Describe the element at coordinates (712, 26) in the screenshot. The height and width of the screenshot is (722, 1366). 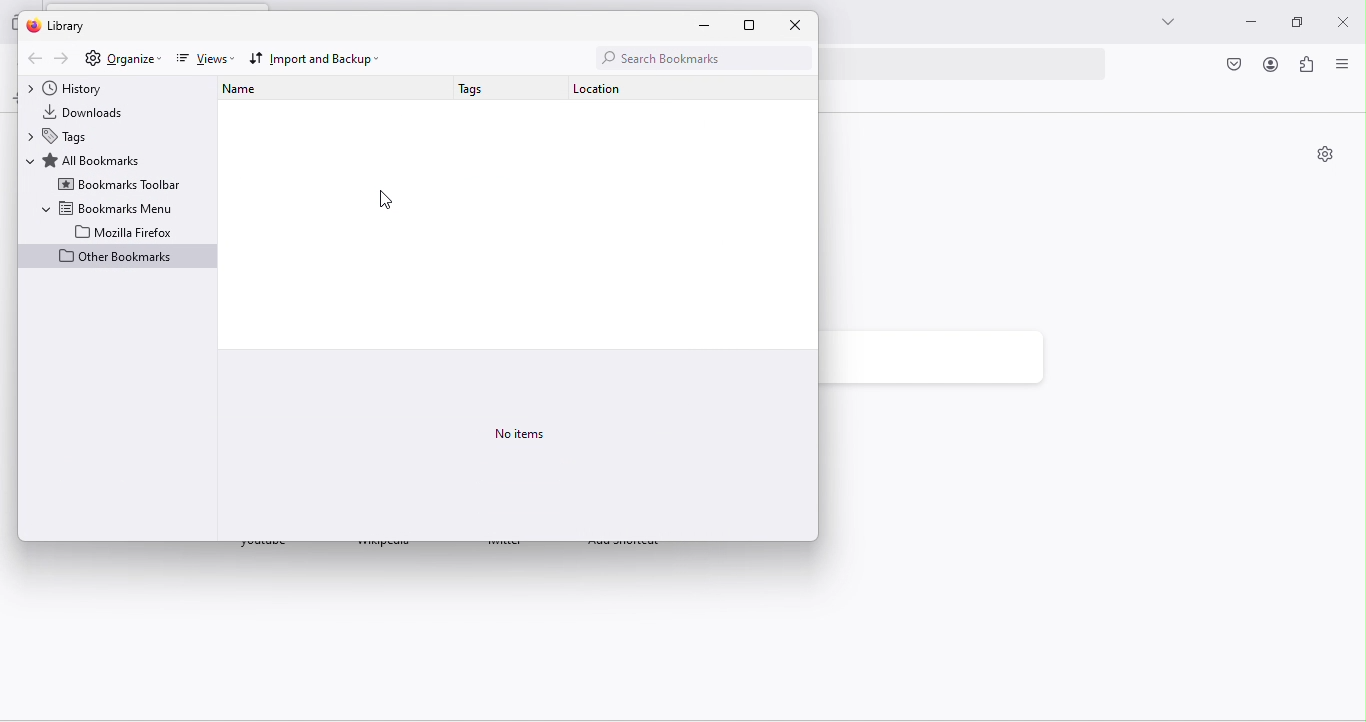
I see `minimize` at that location.